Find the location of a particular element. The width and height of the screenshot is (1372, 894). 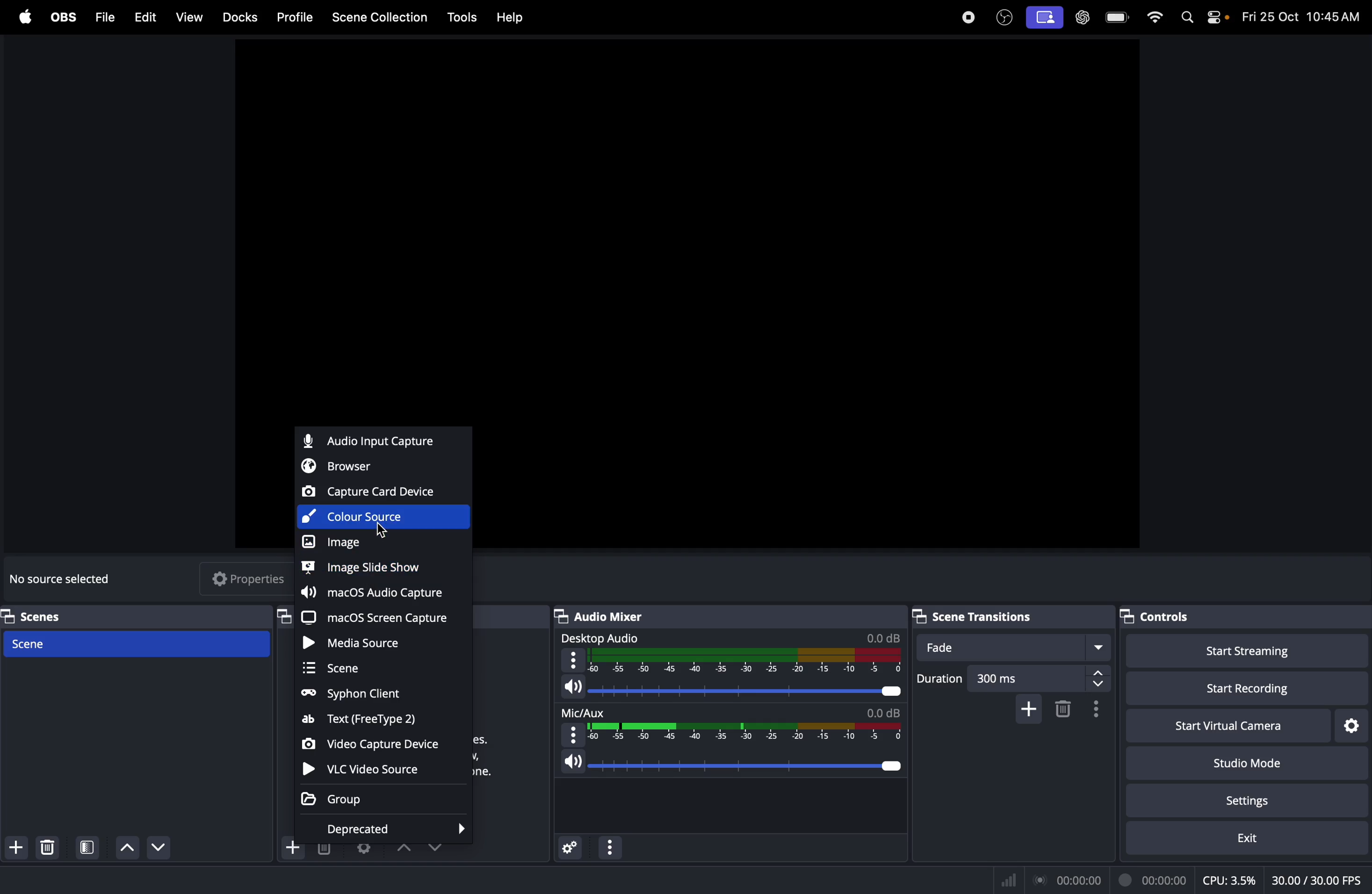

apple widgets is located at coordinates (1216, 16).